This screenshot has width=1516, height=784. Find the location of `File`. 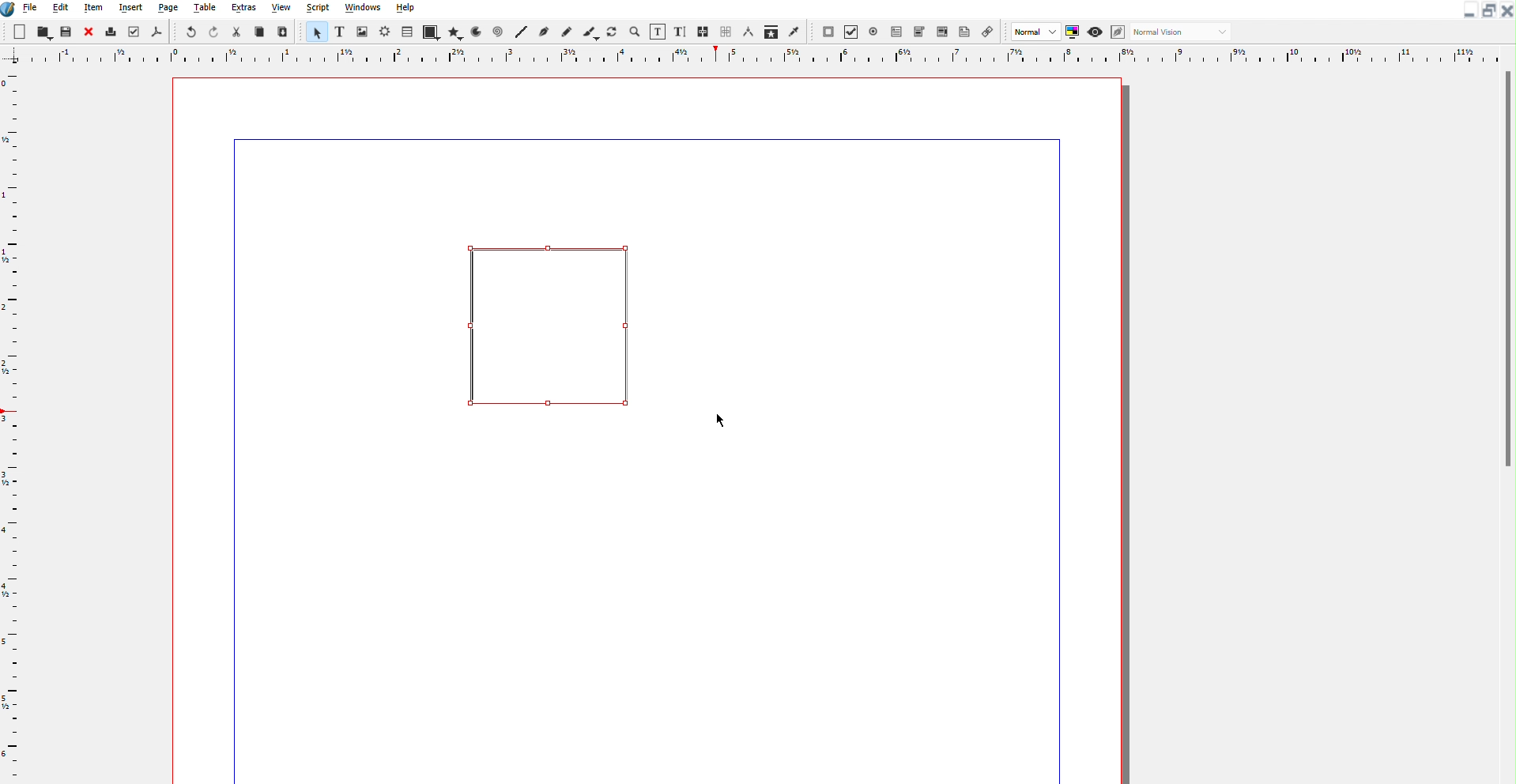

File is located at coordinates (32, 9).